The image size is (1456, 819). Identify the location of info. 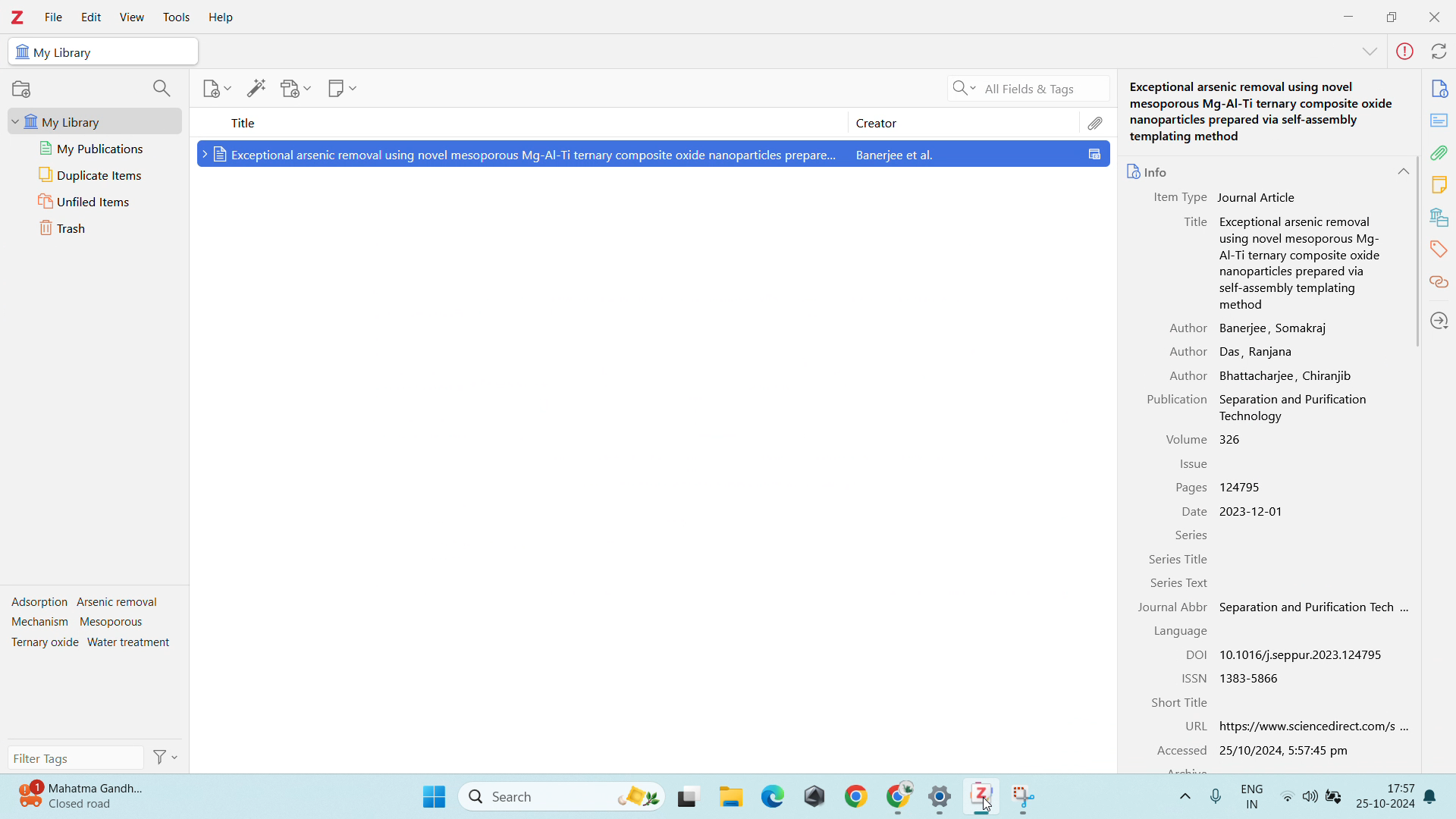
(1440, 88).